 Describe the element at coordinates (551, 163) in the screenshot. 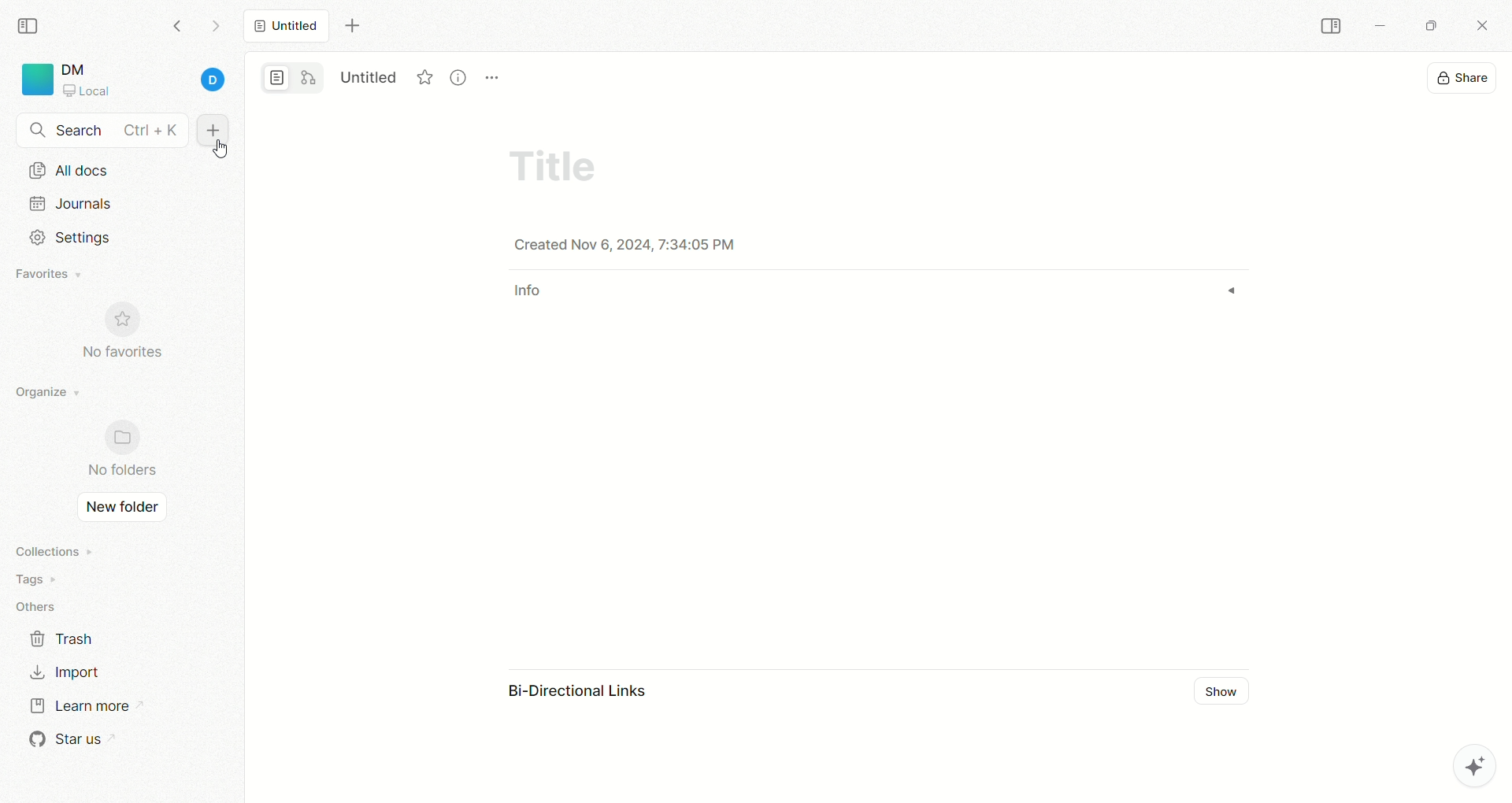

I see `title` at that location.